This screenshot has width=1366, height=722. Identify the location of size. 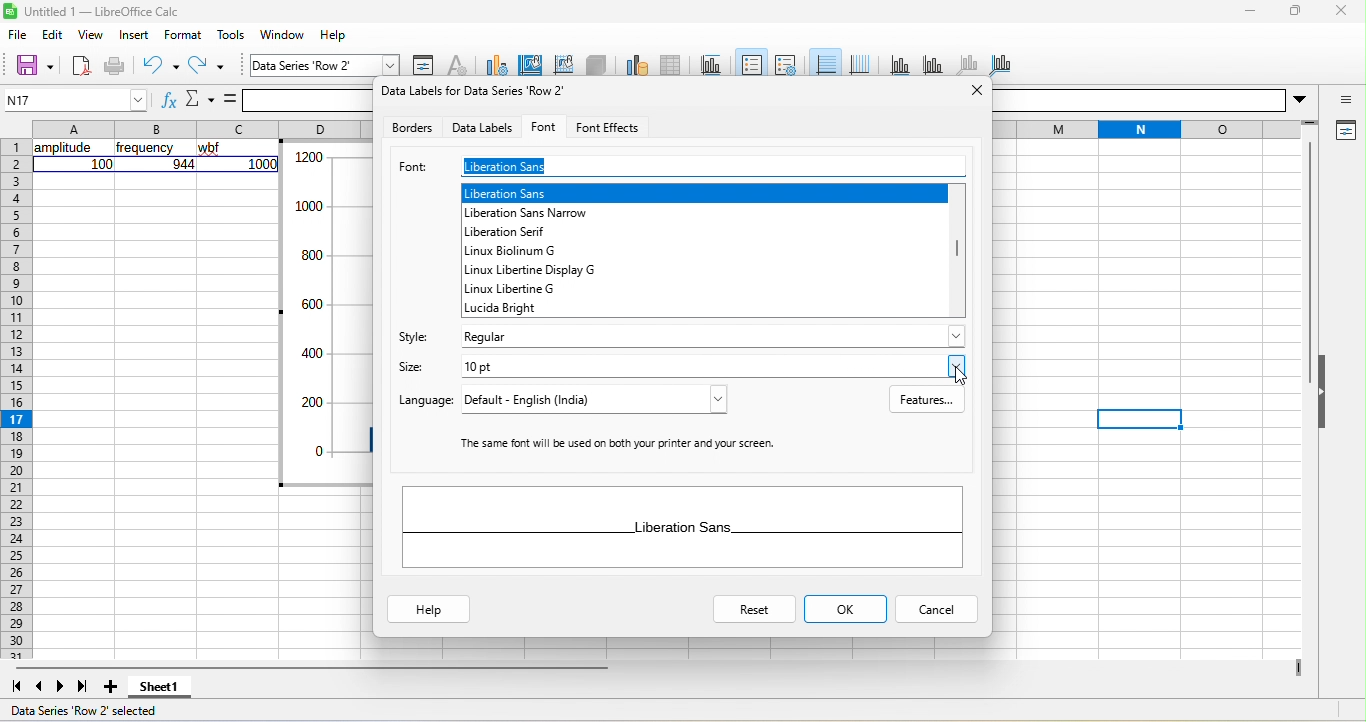
(406, 367).